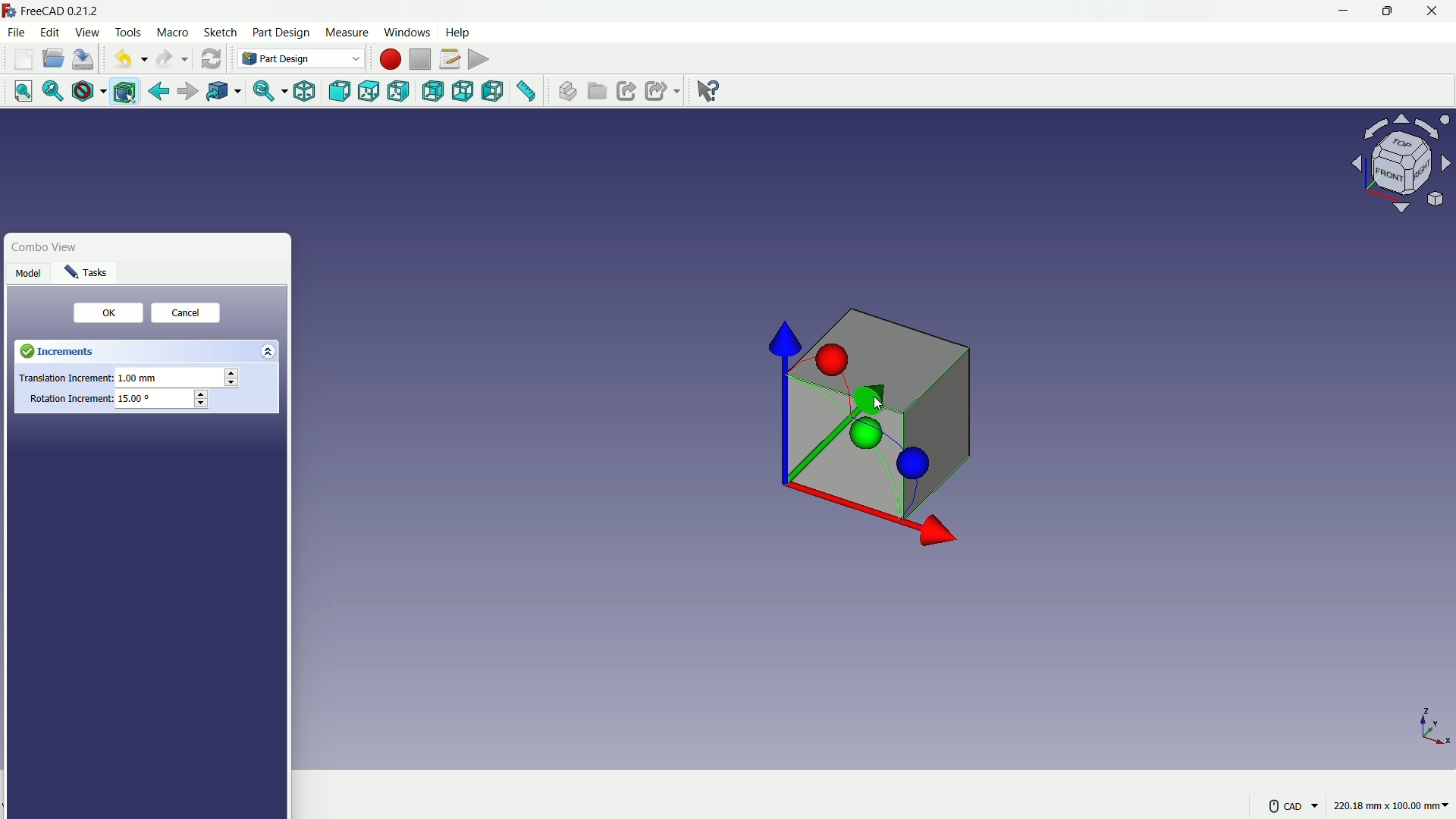 This screenshot has width=1456, height=819. Describe the element at coordinates (127, 60) in the screenshot. I see `undo` at that location.